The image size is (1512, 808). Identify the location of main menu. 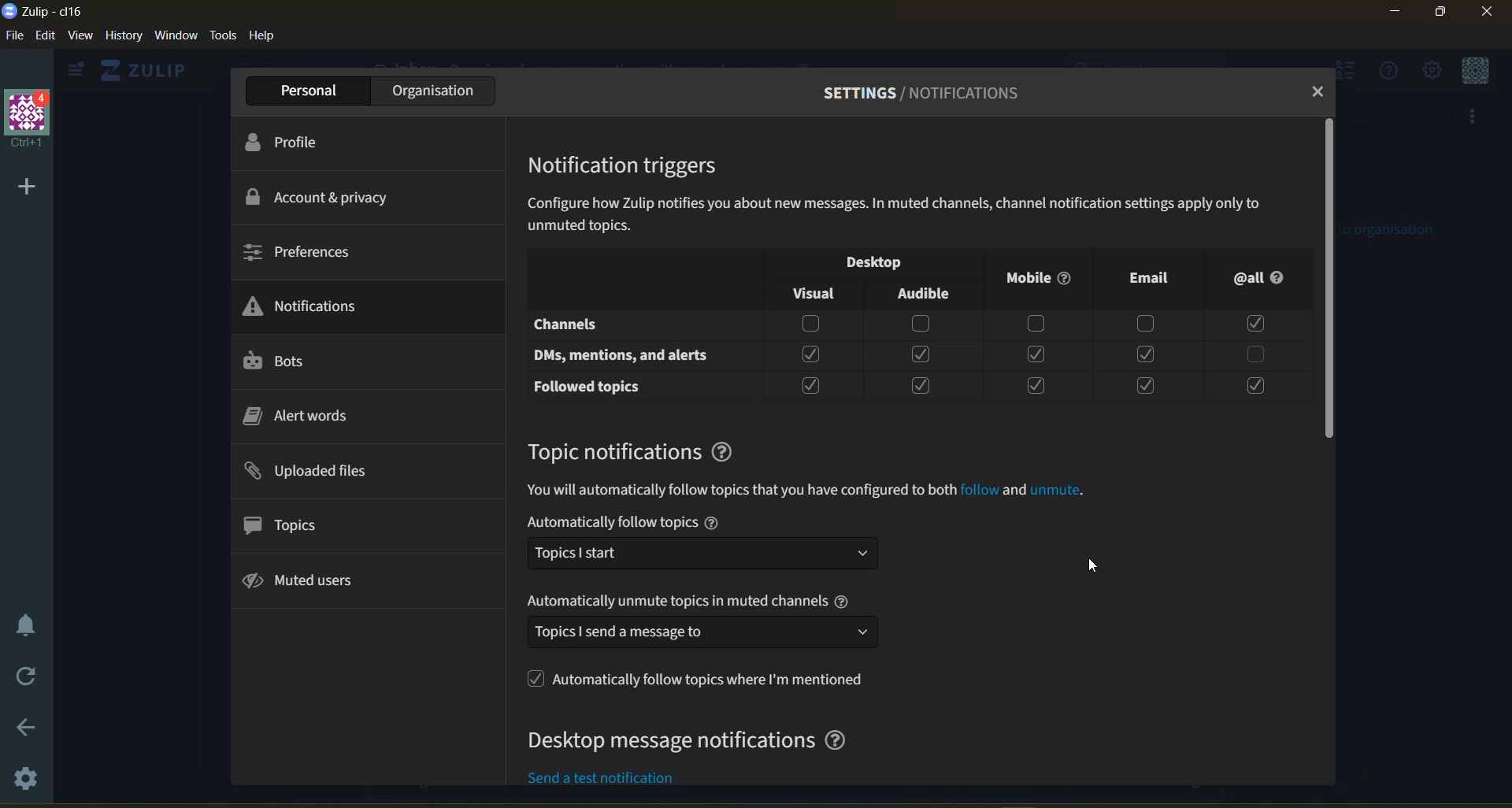
(1431, 70).